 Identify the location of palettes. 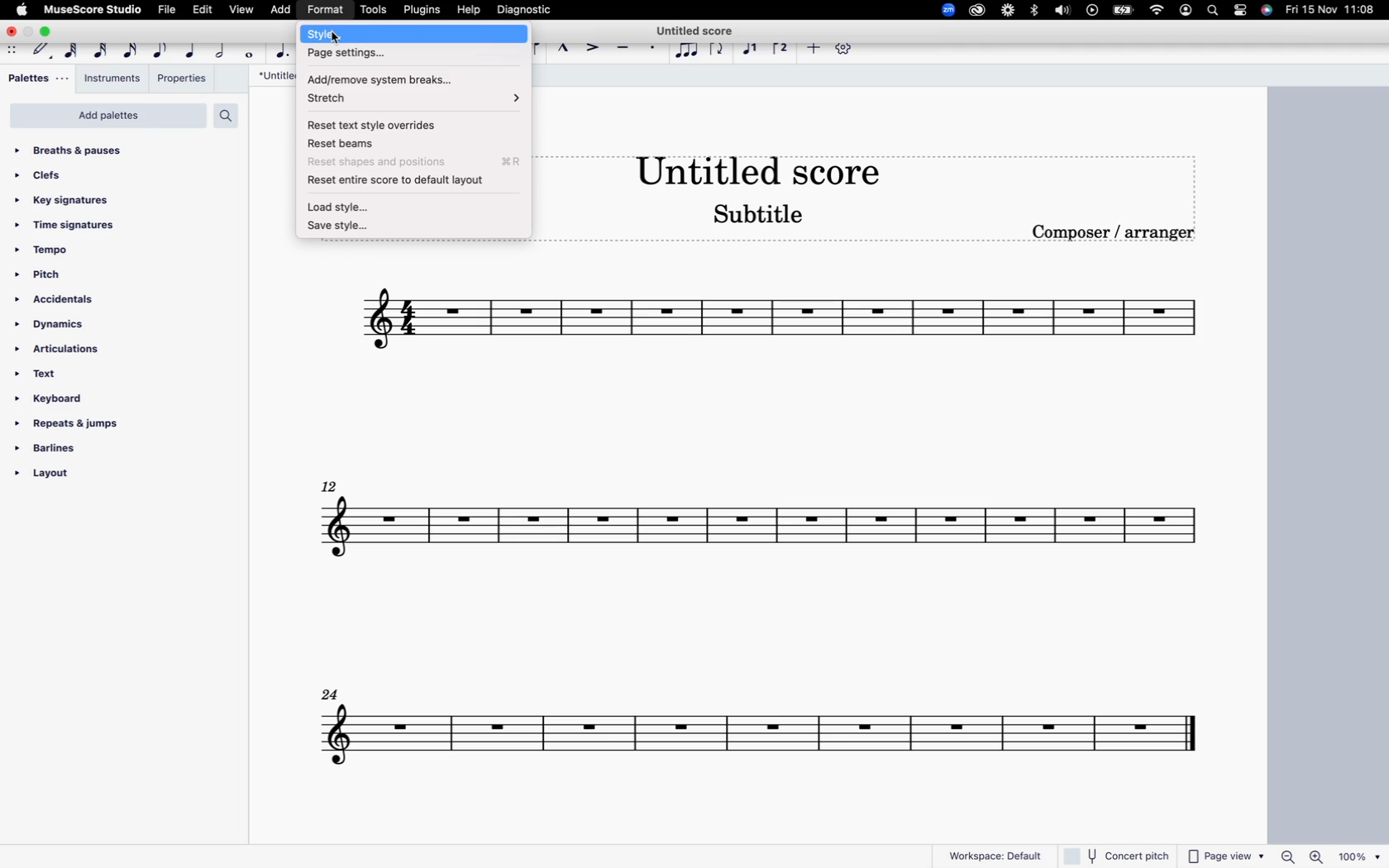
(36, 79).